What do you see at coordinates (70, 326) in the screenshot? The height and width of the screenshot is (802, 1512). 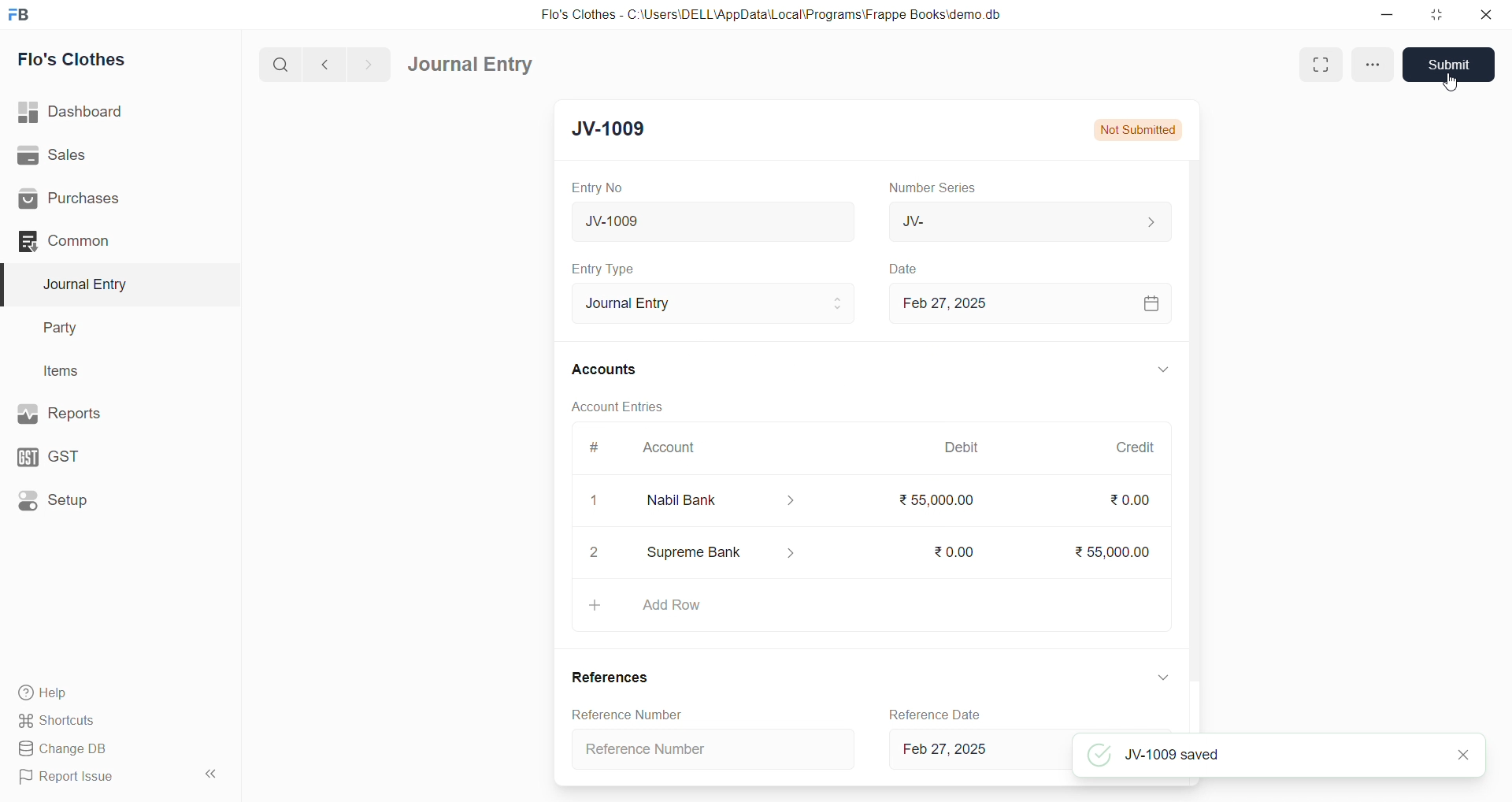 I see `Party` at bounding box center [70, 326].